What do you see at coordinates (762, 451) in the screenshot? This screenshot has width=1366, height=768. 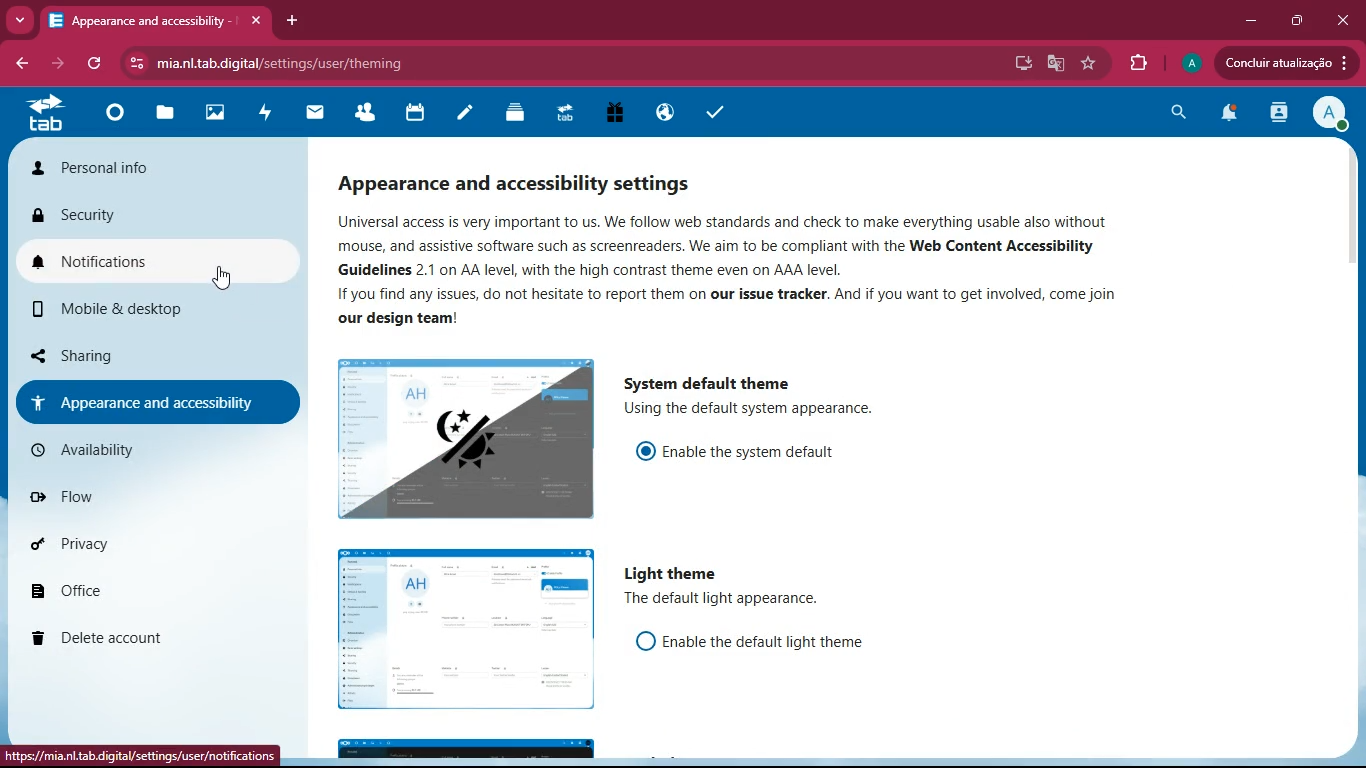 I see `enable the system default` at bounding box center [762, 451].